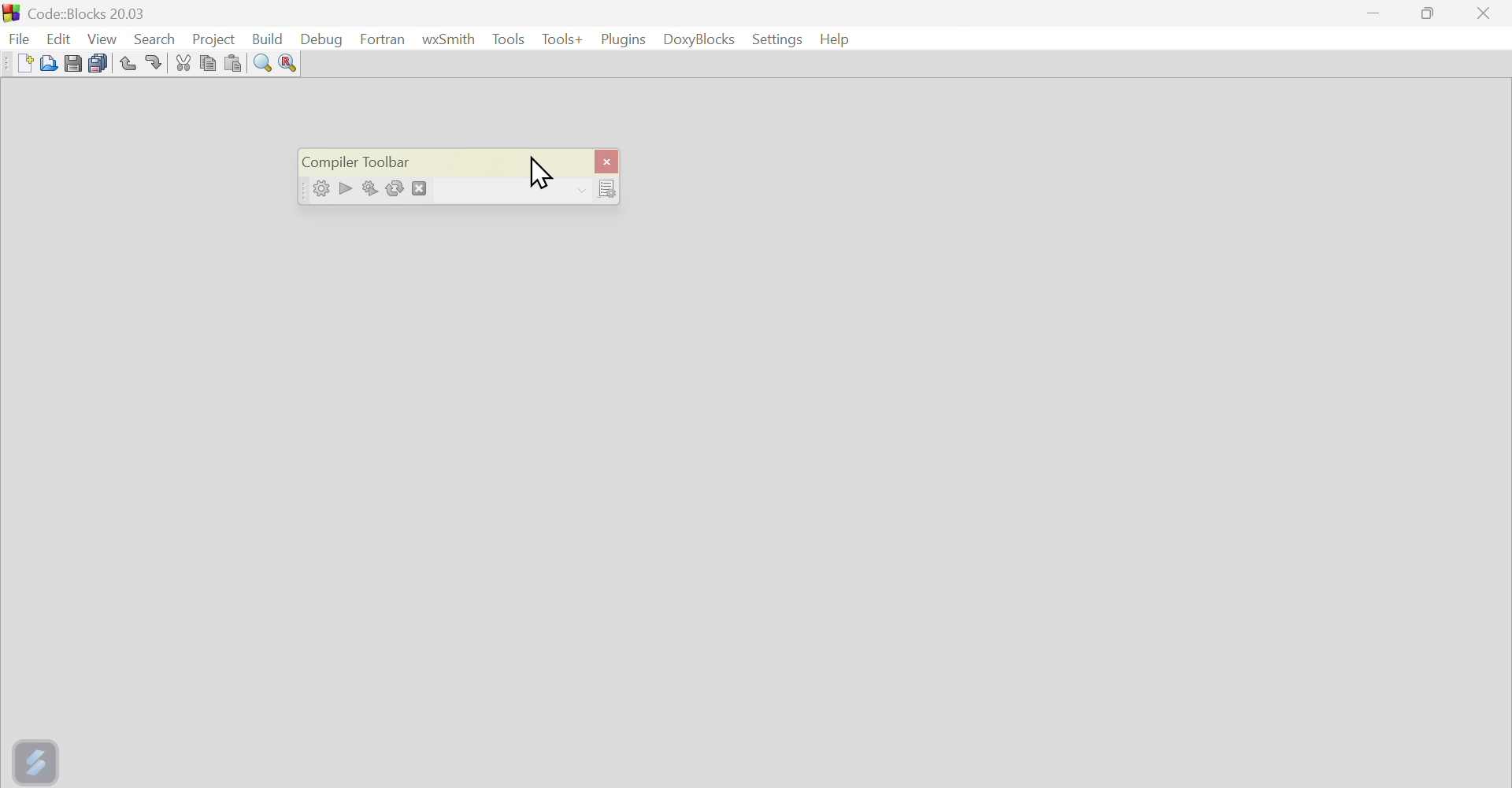 This screenshot has height=788, width=1512. Describe the element at coordinates (838, 39) in the screenshot. I see `Help` at that location.